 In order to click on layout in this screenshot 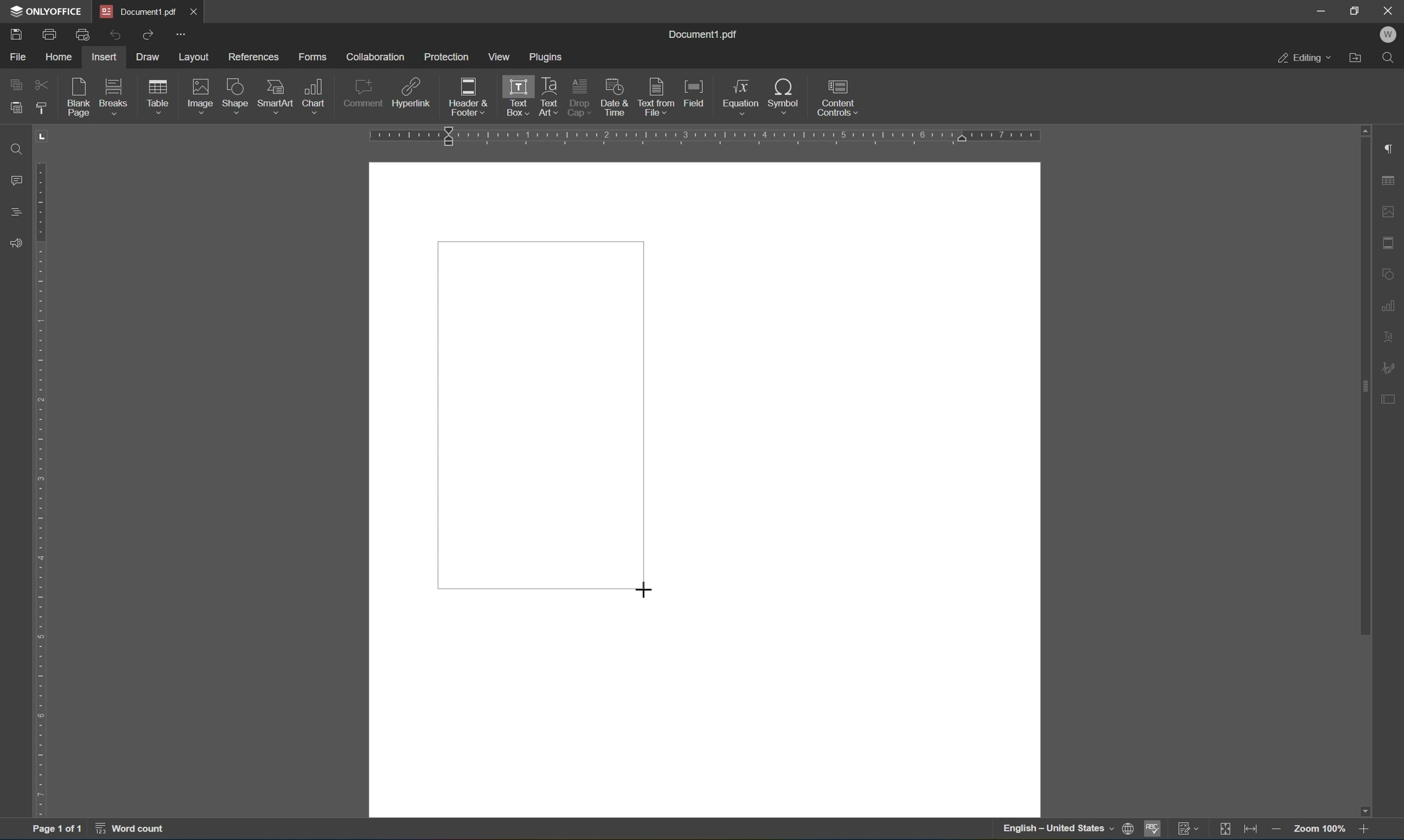, I will do `click(195, 58)`.